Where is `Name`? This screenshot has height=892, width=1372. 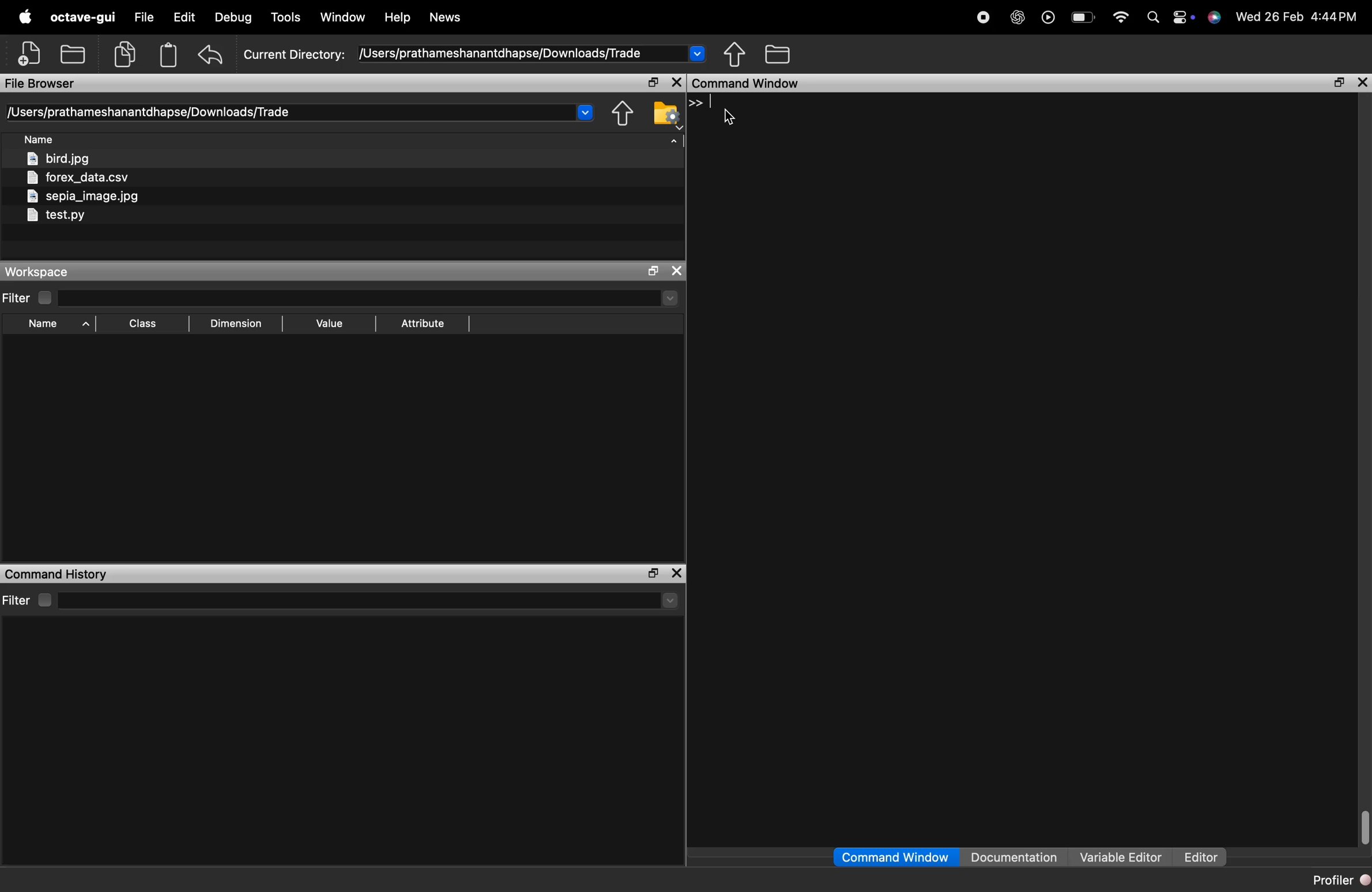
Name is located at coordinates (39, 138).